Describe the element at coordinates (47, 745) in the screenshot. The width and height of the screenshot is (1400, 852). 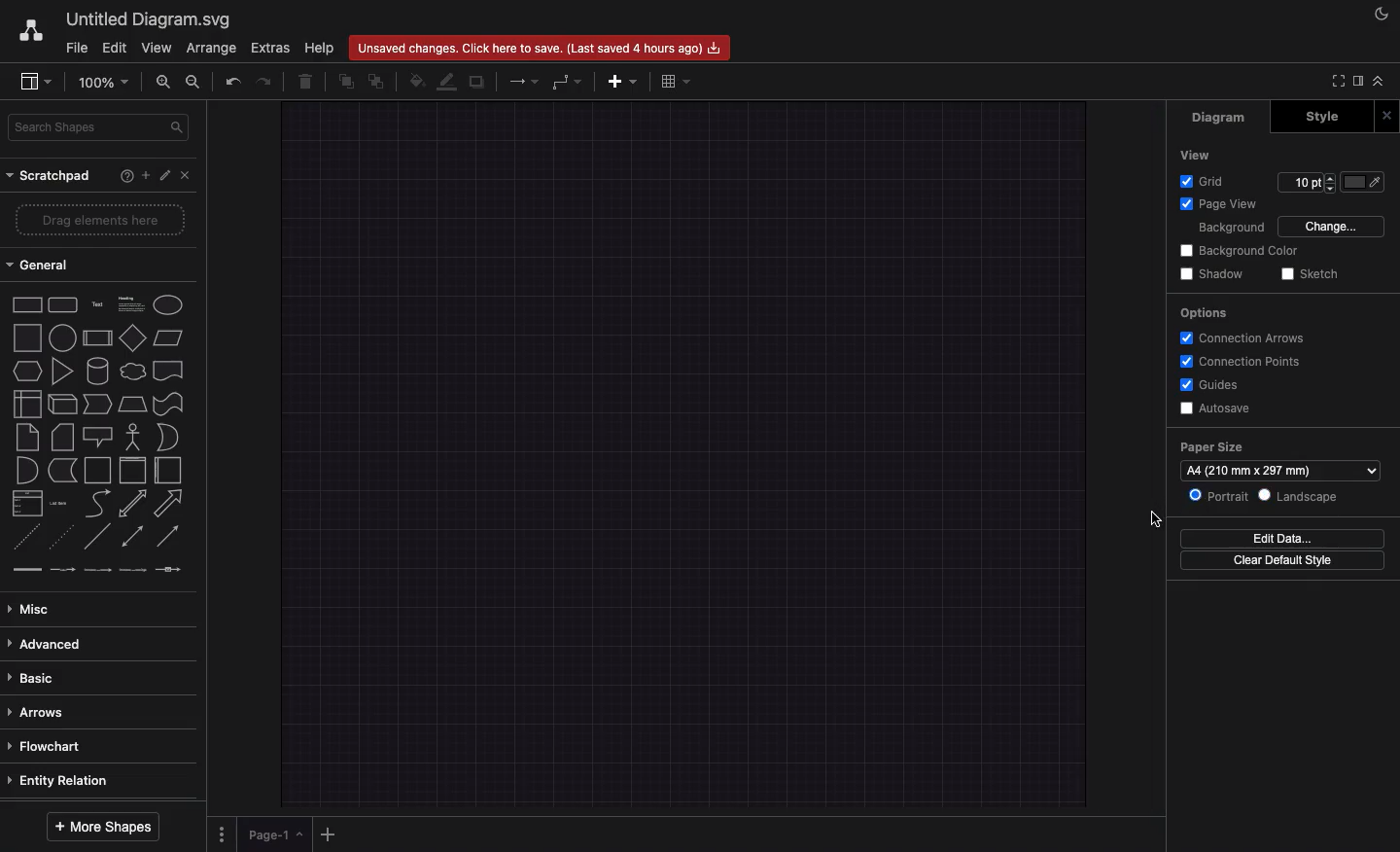
I see `Flowchart` at that location.